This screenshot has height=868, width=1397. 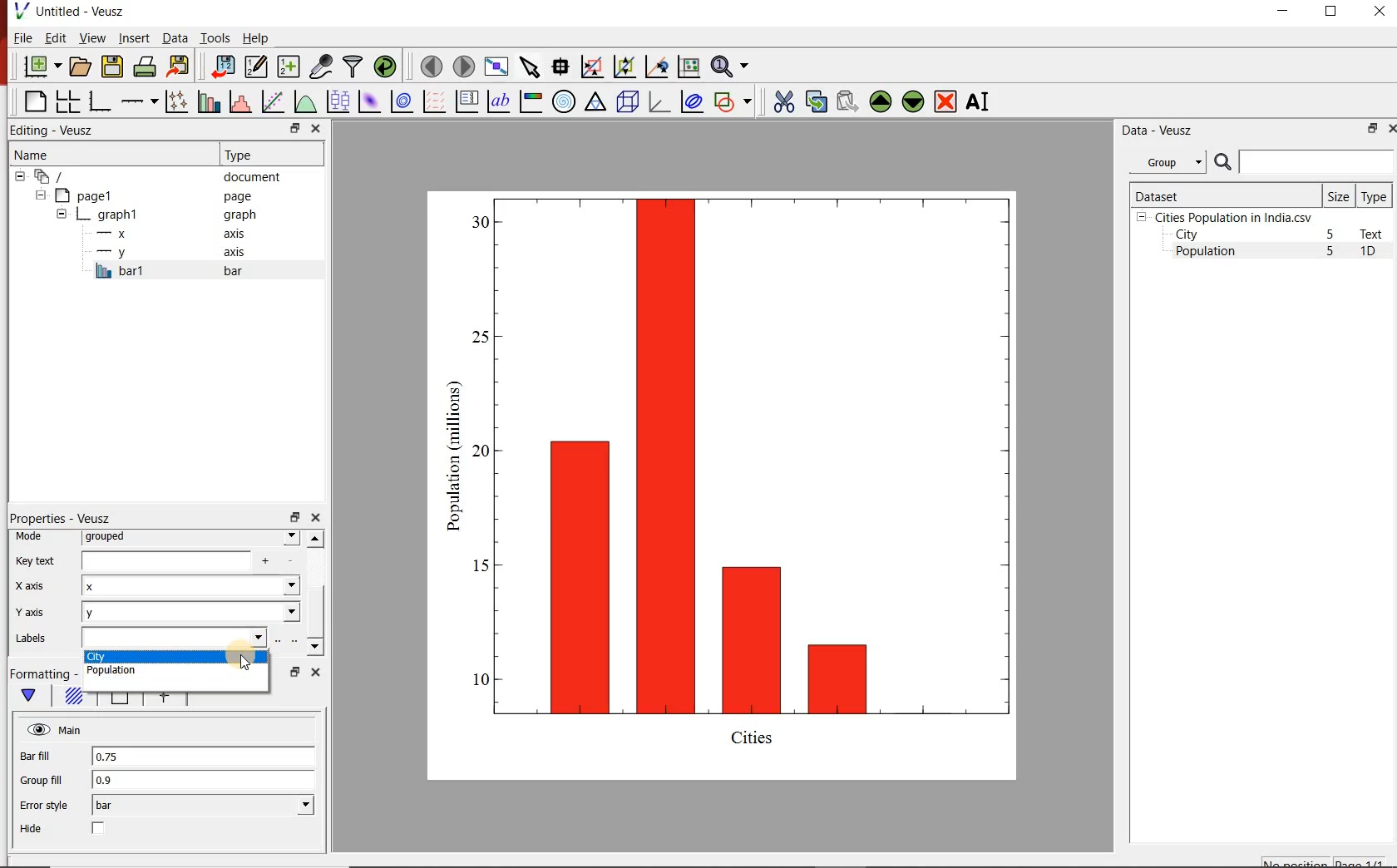 What do you see at coordinates (54, 38) in the screenshot?
I see `Edit` at bounding box center [54, 38].